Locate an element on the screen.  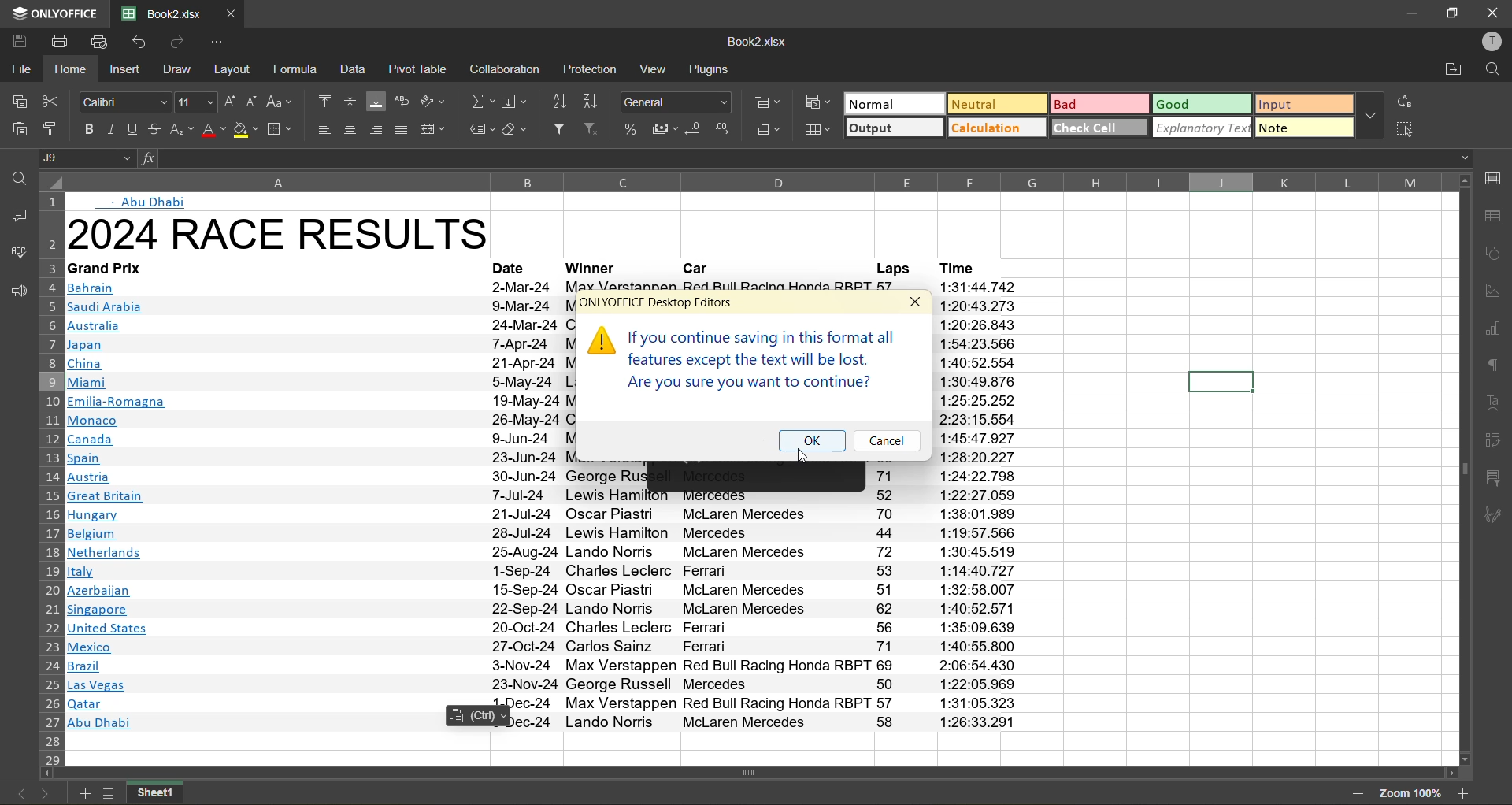
data is located at coordinates (354, 70).